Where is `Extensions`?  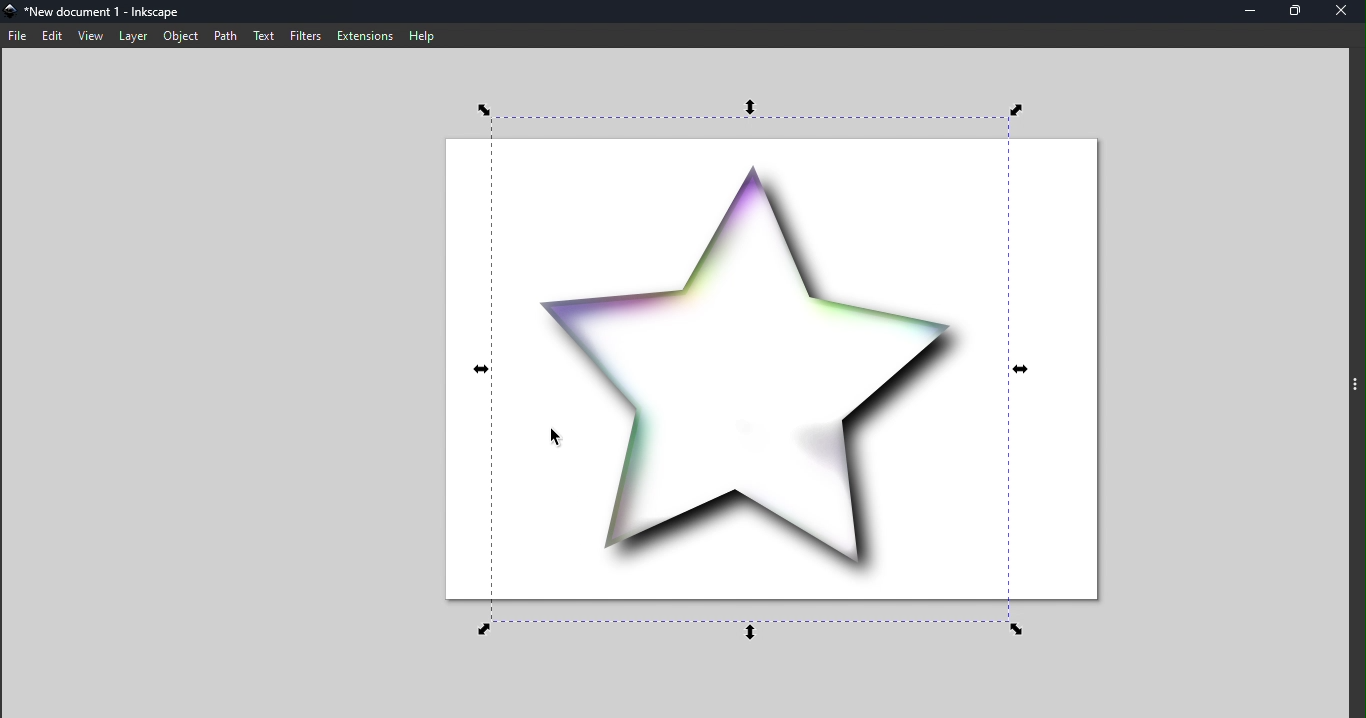 Extensions is located at coordinates (362, 34).